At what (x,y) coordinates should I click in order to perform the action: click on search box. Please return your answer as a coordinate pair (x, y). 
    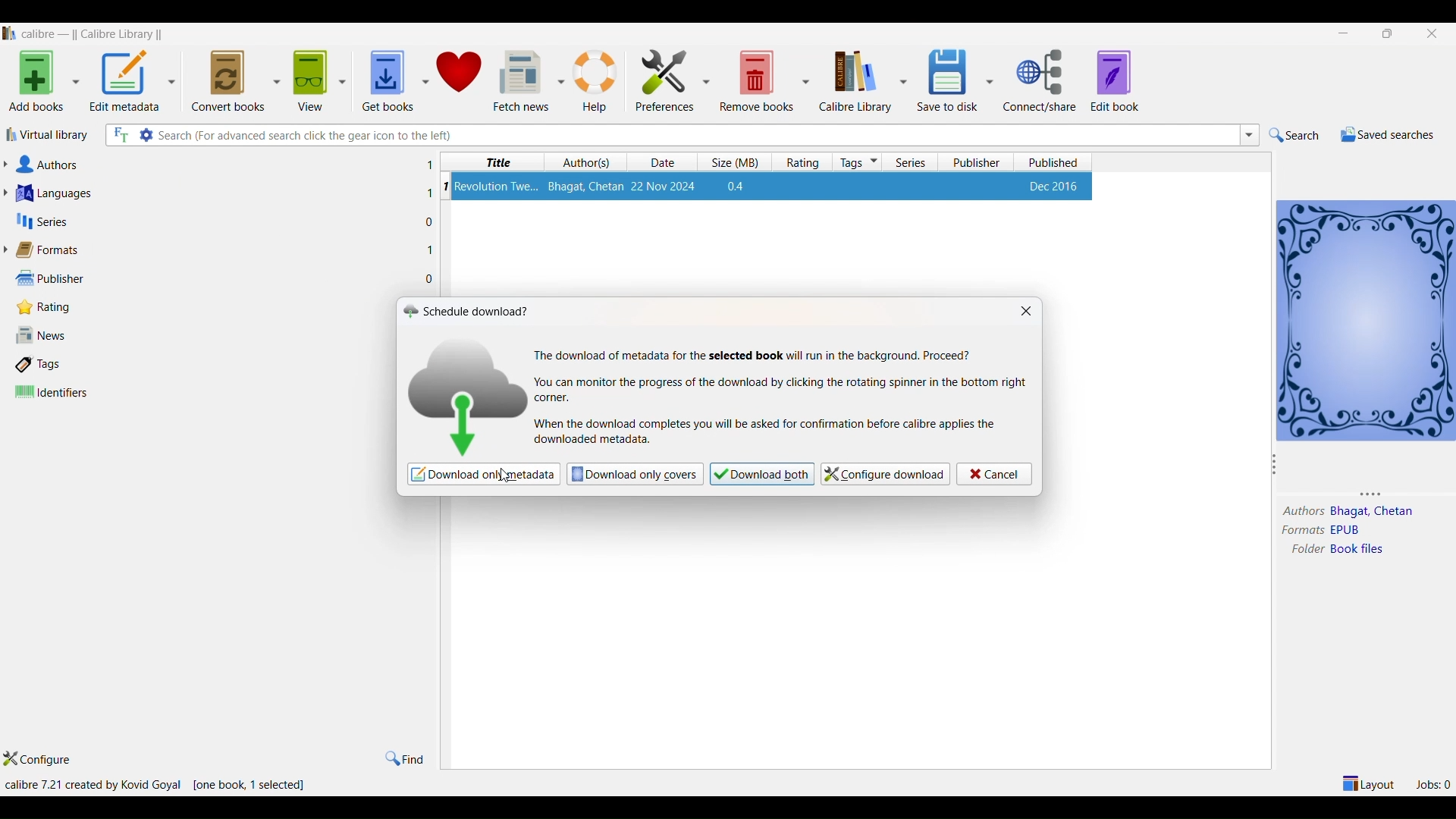
    Looking at the image, I should click on (695, 135).